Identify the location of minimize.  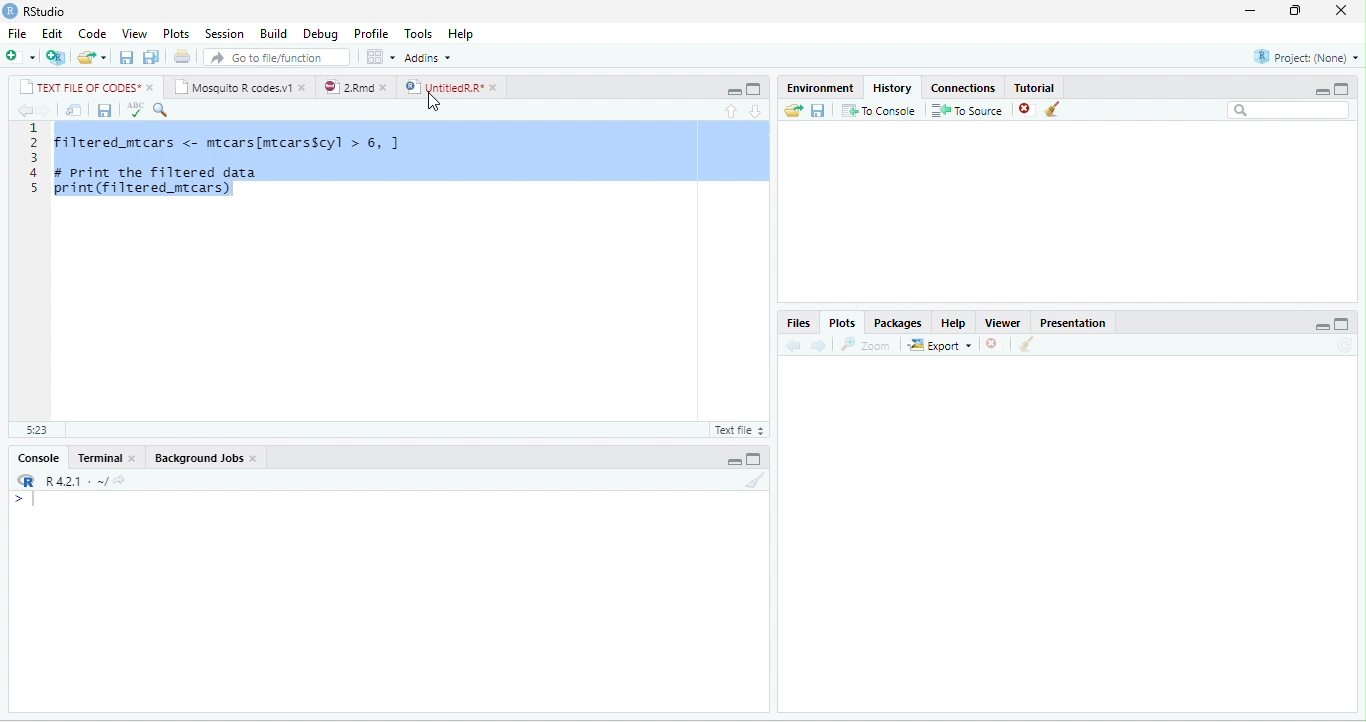
(1322, 326).